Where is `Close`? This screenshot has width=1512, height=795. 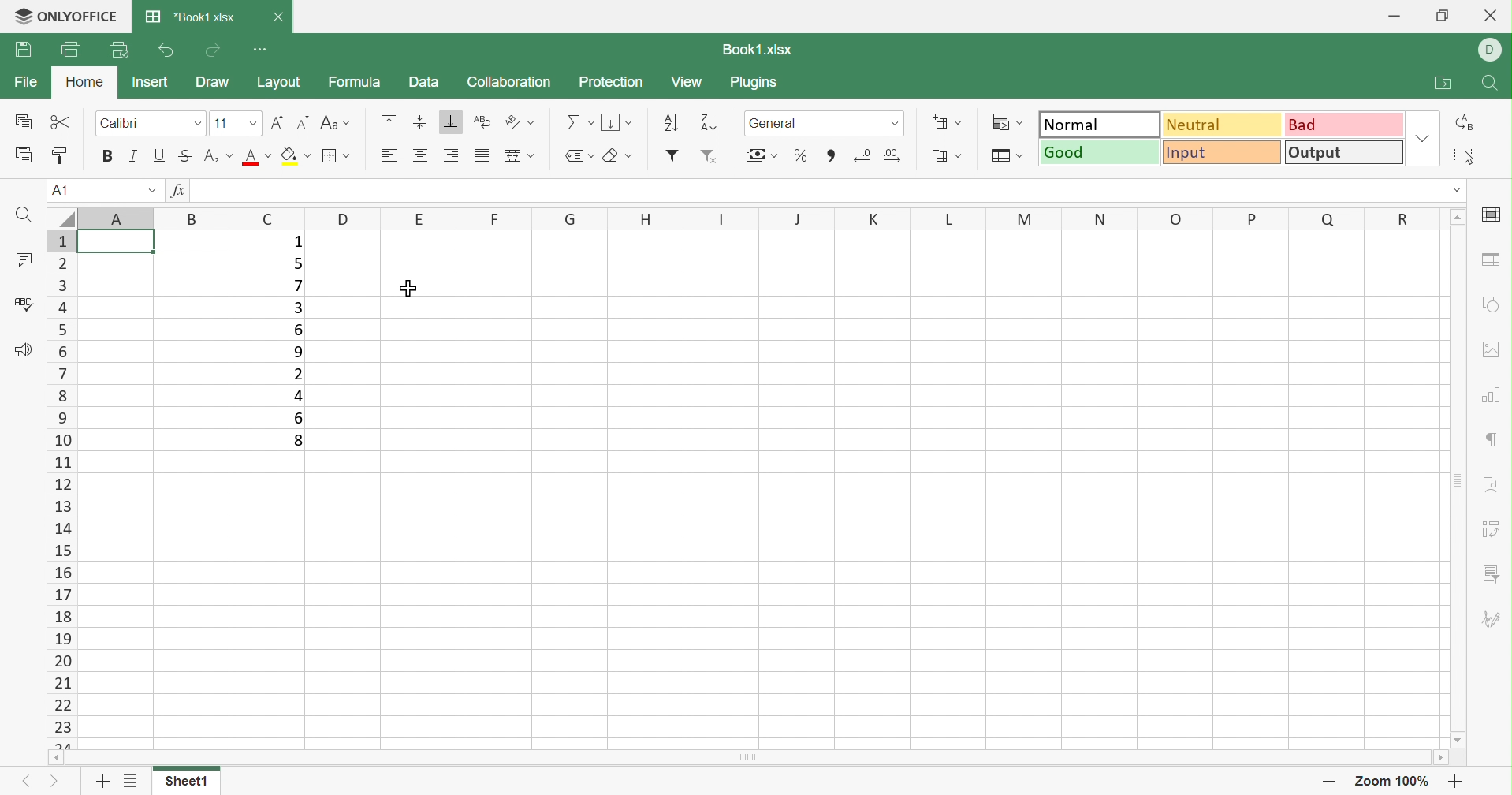
Close is located at coordinates (282, 17).